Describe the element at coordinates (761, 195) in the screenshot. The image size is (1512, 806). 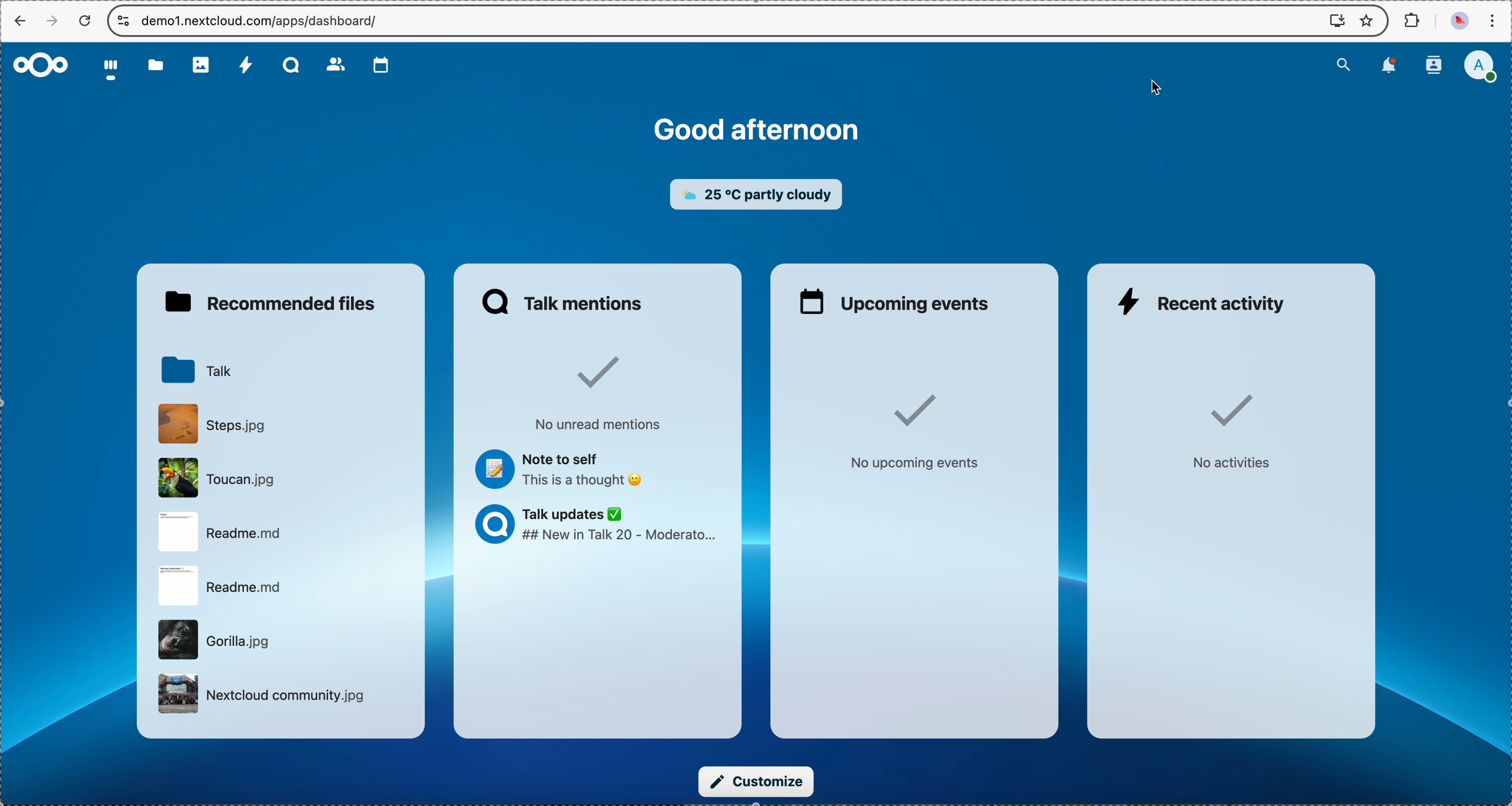
I see `weather widget` at that location.